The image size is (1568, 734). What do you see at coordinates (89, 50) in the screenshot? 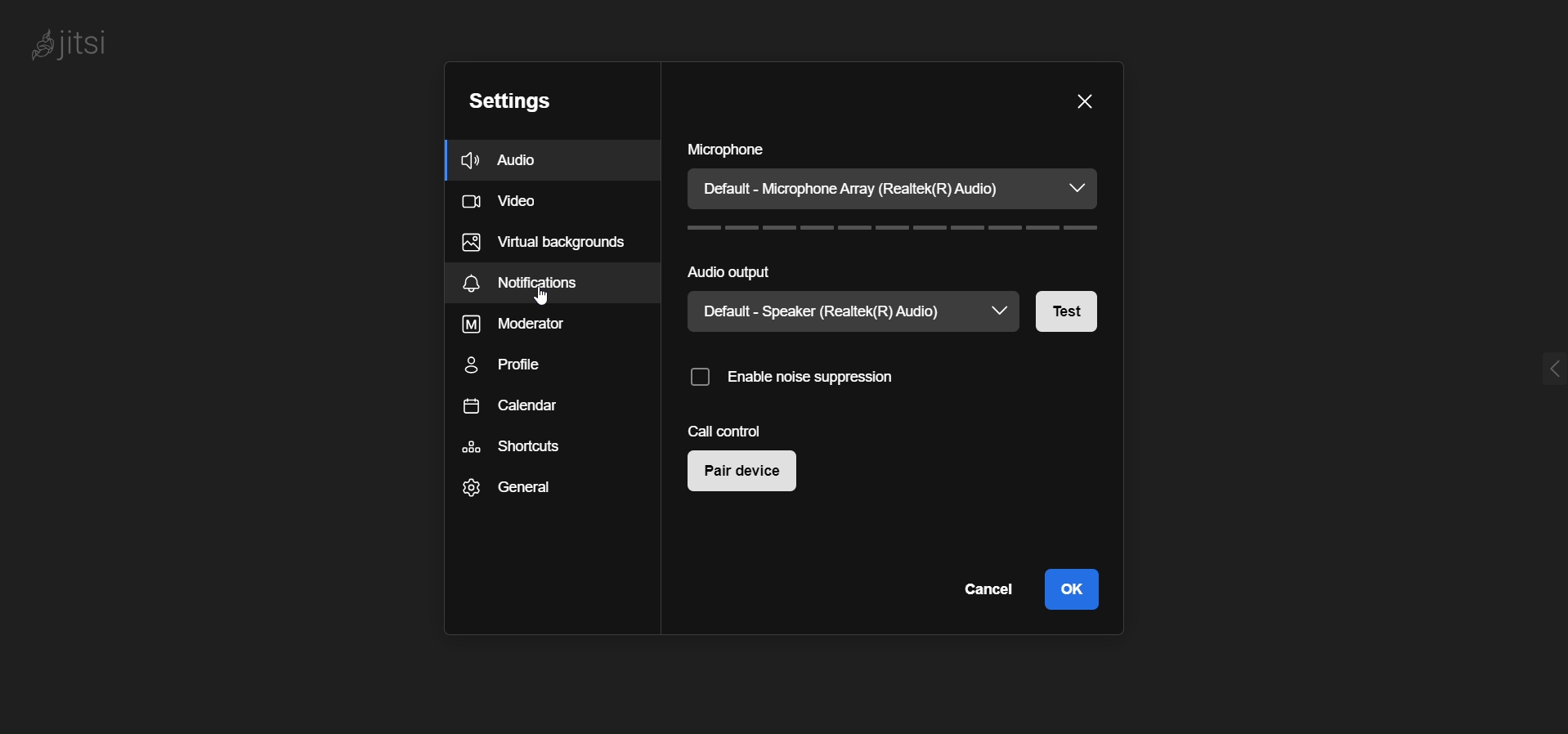
I see `logo` at bounding box center [89, 50].